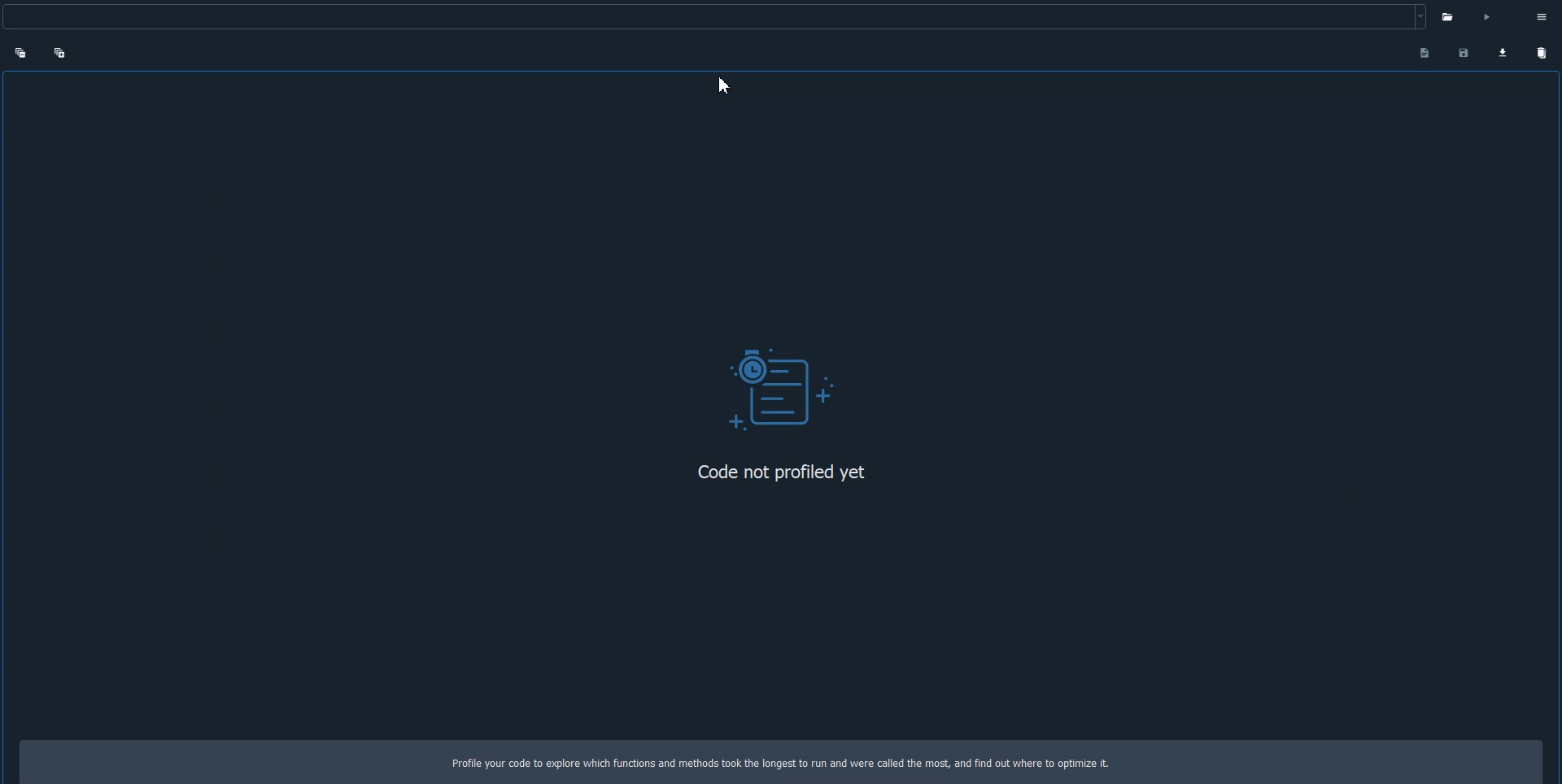 This screenshot has height=784, width=1562. I want to click on Option, so click(1531, 15).